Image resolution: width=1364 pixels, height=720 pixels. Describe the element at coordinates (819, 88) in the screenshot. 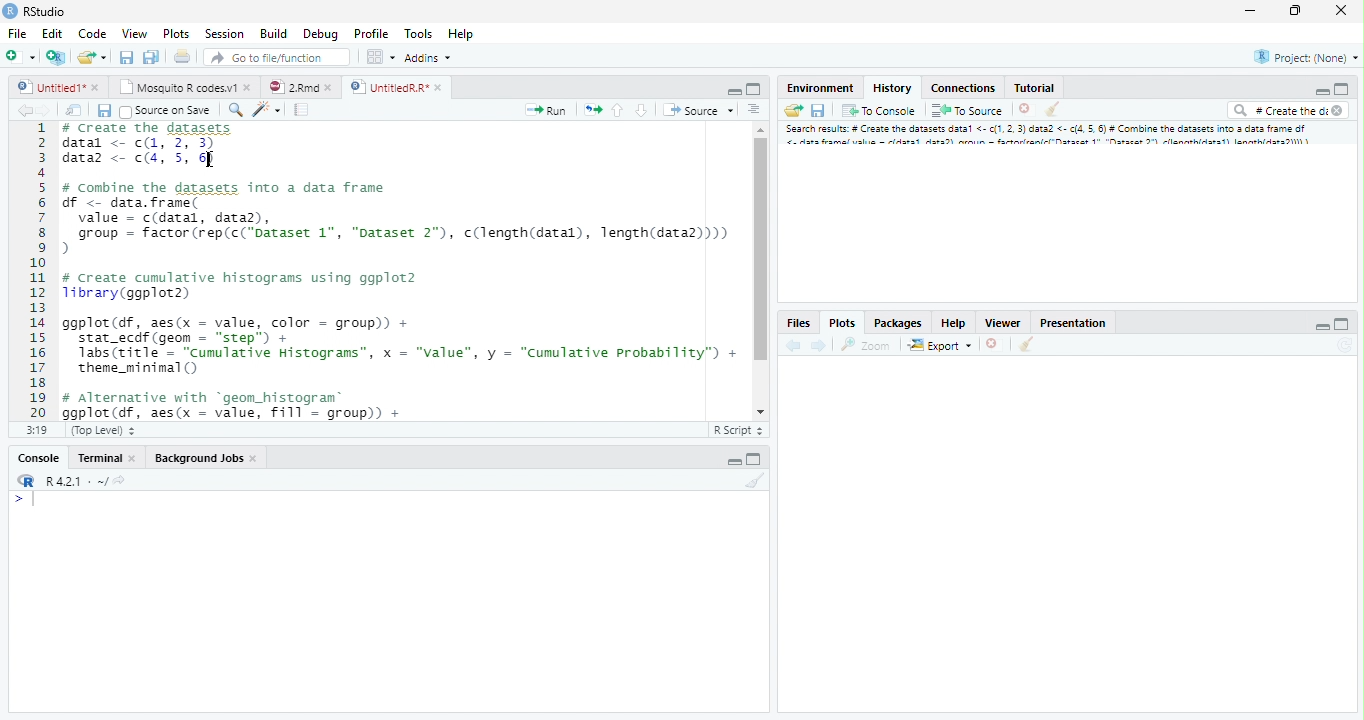

I see `Environment` at that location.